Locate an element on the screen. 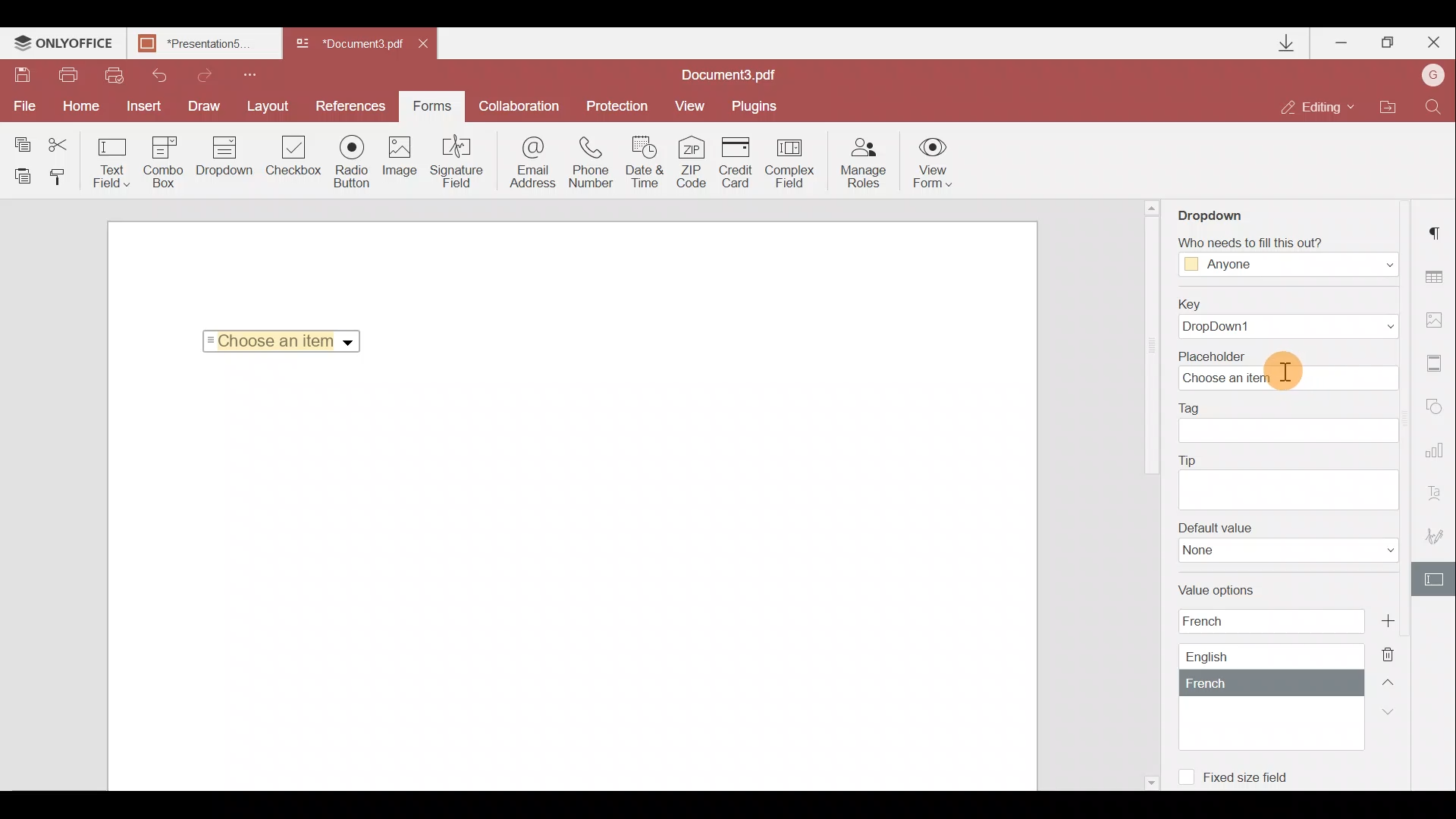 The height and width of the screenshot is (819, 1456). Value options is located at coordinates (1260, 666).